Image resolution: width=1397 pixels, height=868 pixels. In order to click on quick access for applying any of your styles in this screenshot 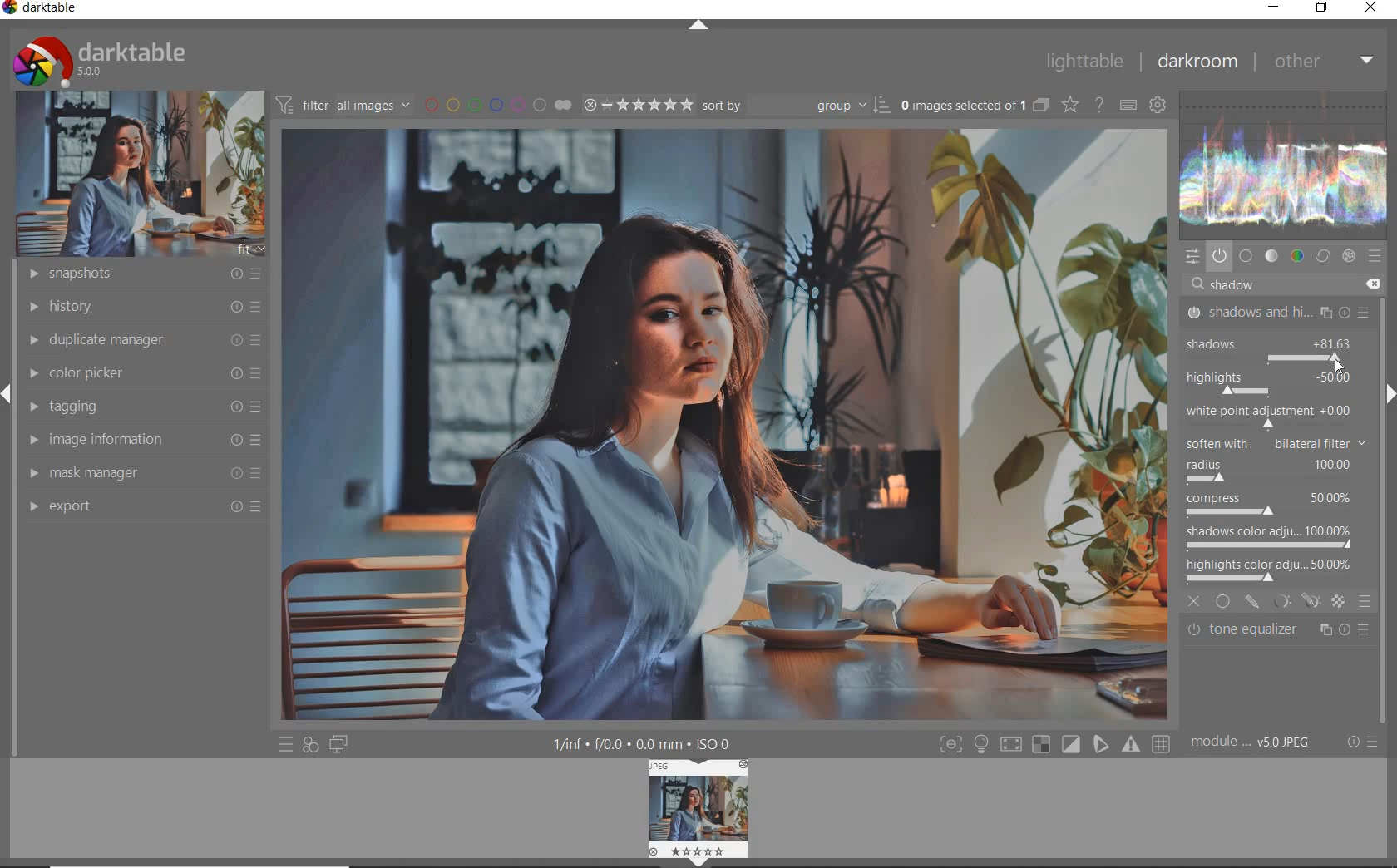, I will do `click(312, 746)`.